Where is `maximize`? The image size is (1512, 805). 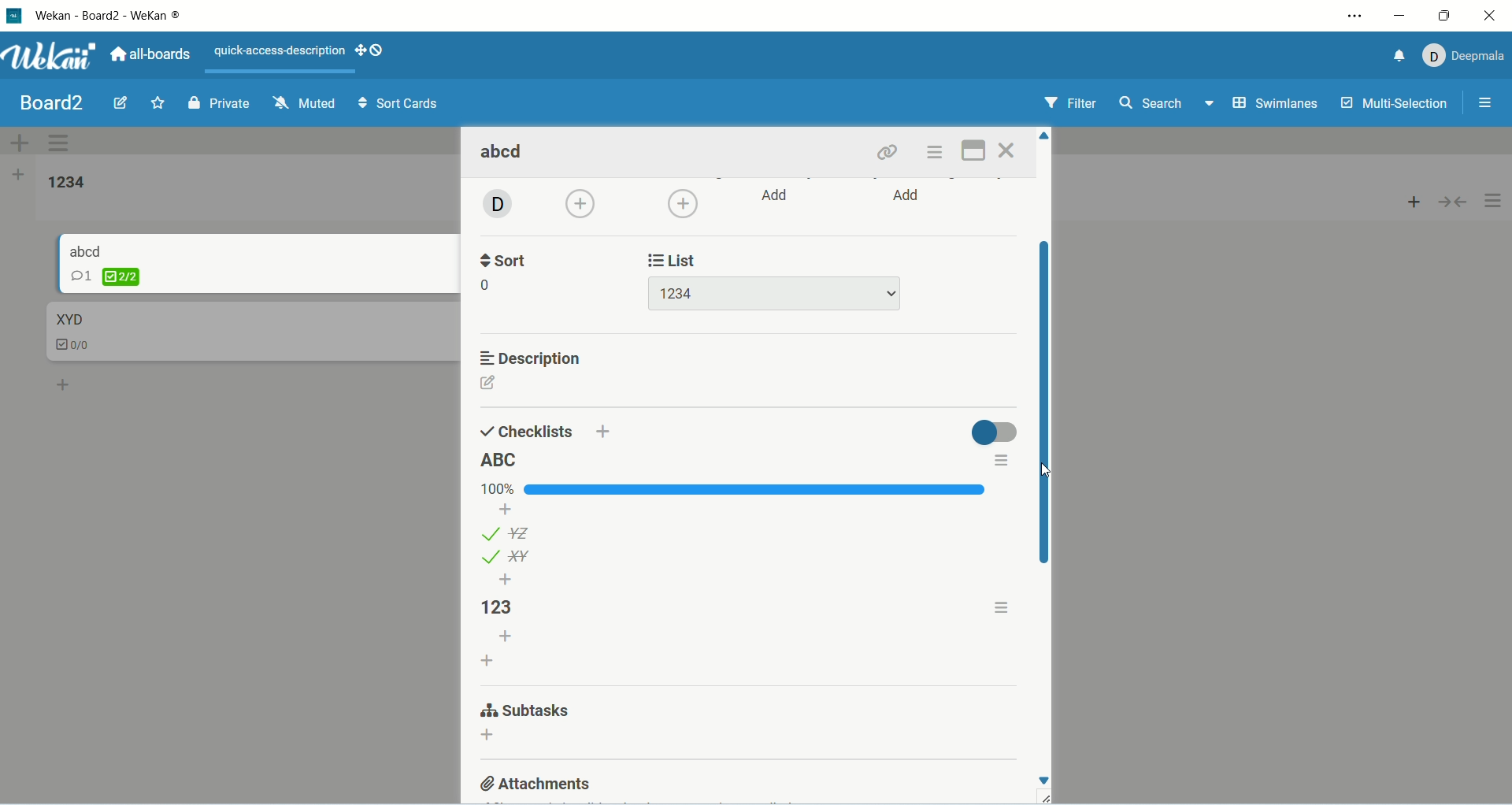 maximize is located at coordinates (1442, 16).